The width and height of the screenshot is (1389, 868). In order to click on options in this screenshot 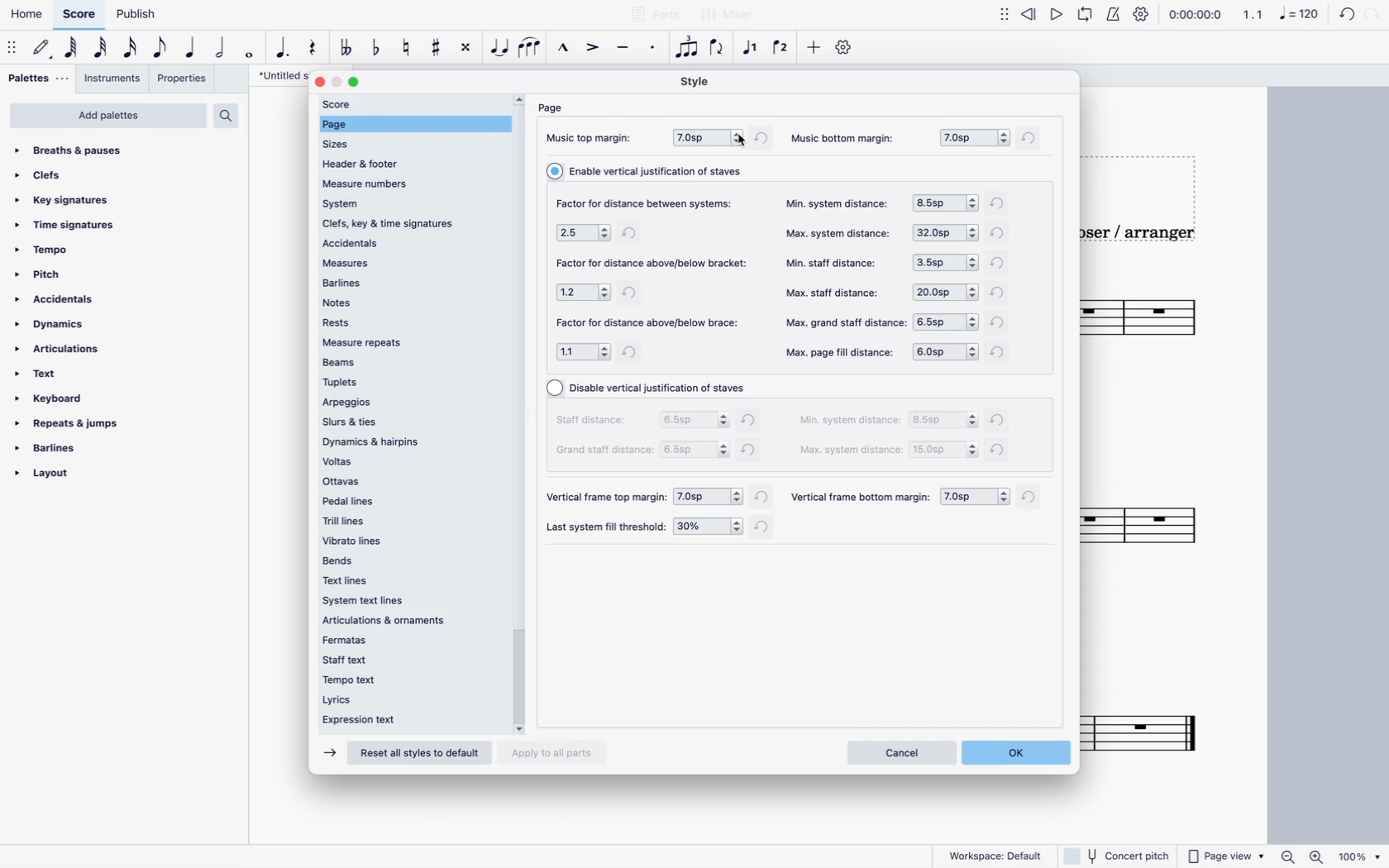, I will do `click(944, 353)`.